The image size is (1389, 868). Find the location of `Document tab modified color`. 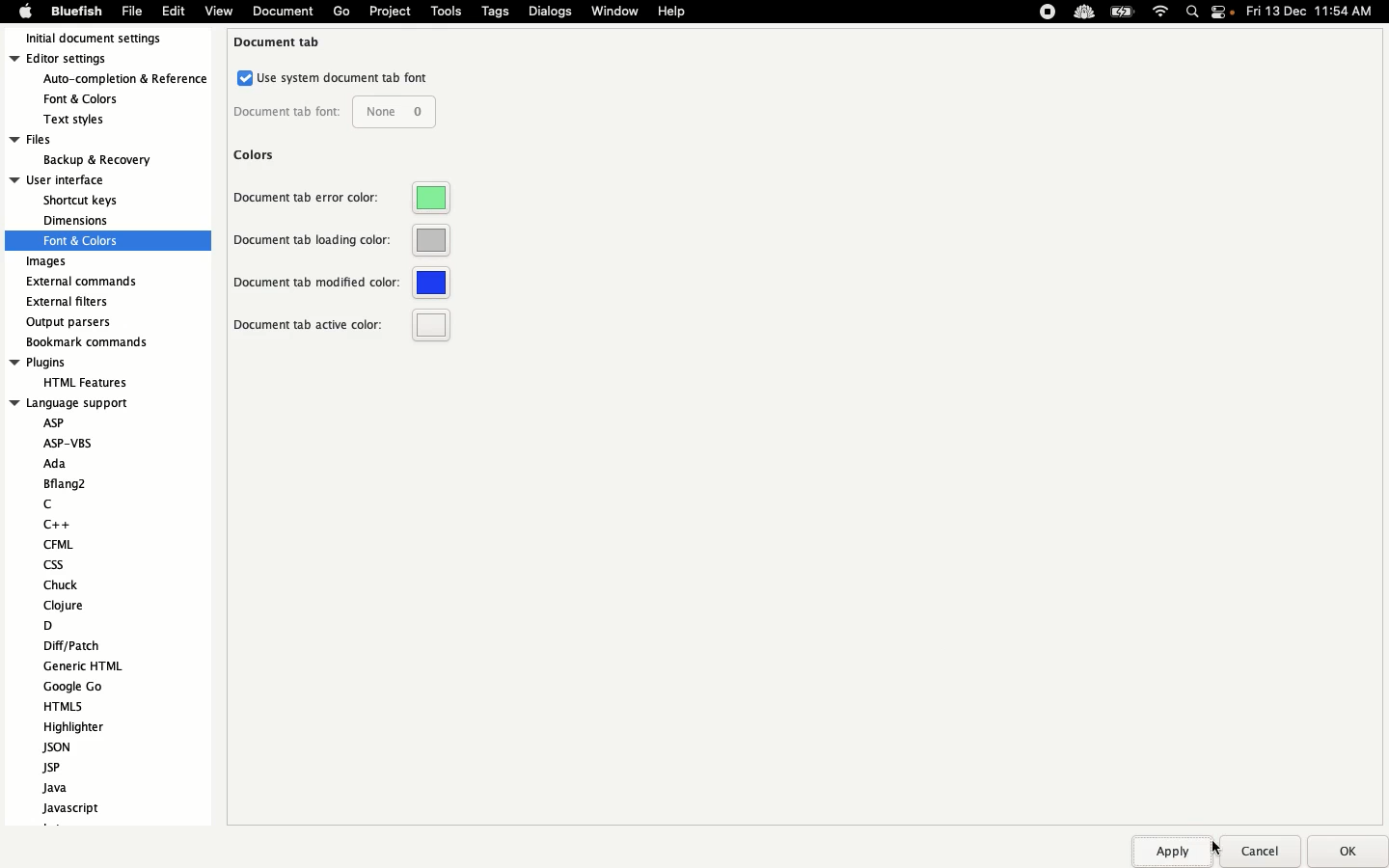

Document tab modified color is located at coordinates (342, 283).